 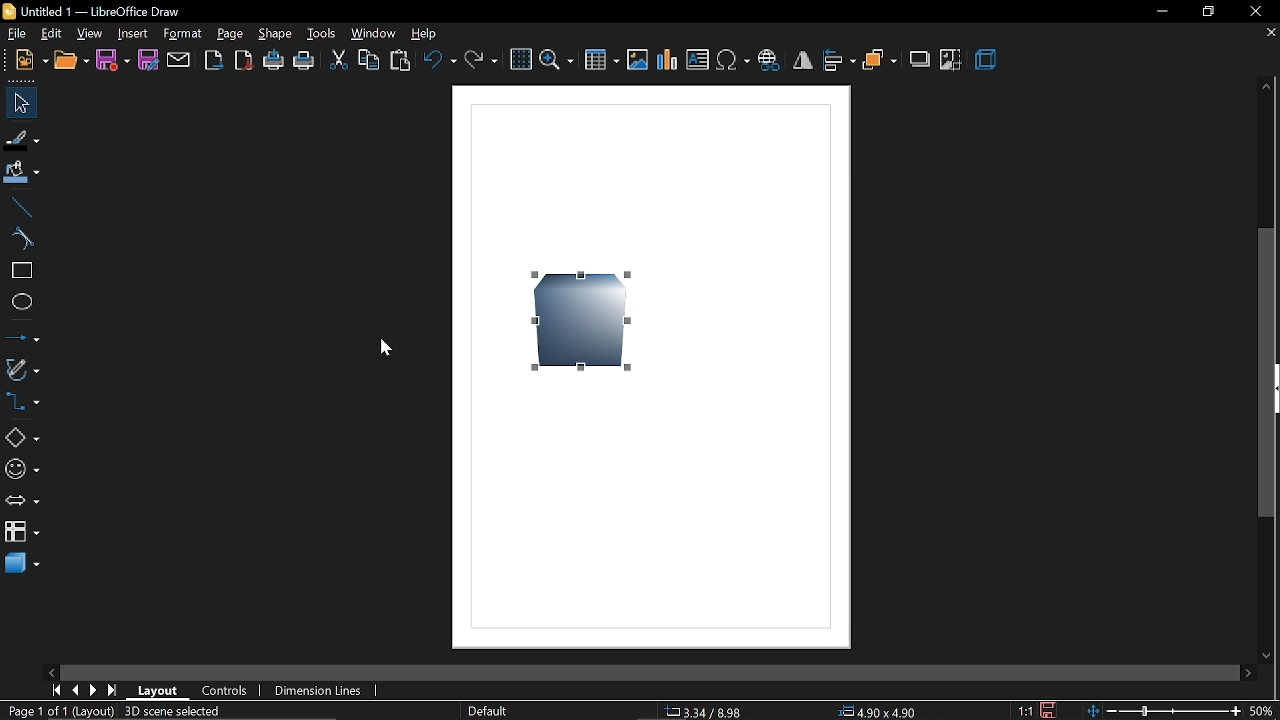 I want to click on close, so click(x=1258, y=10).